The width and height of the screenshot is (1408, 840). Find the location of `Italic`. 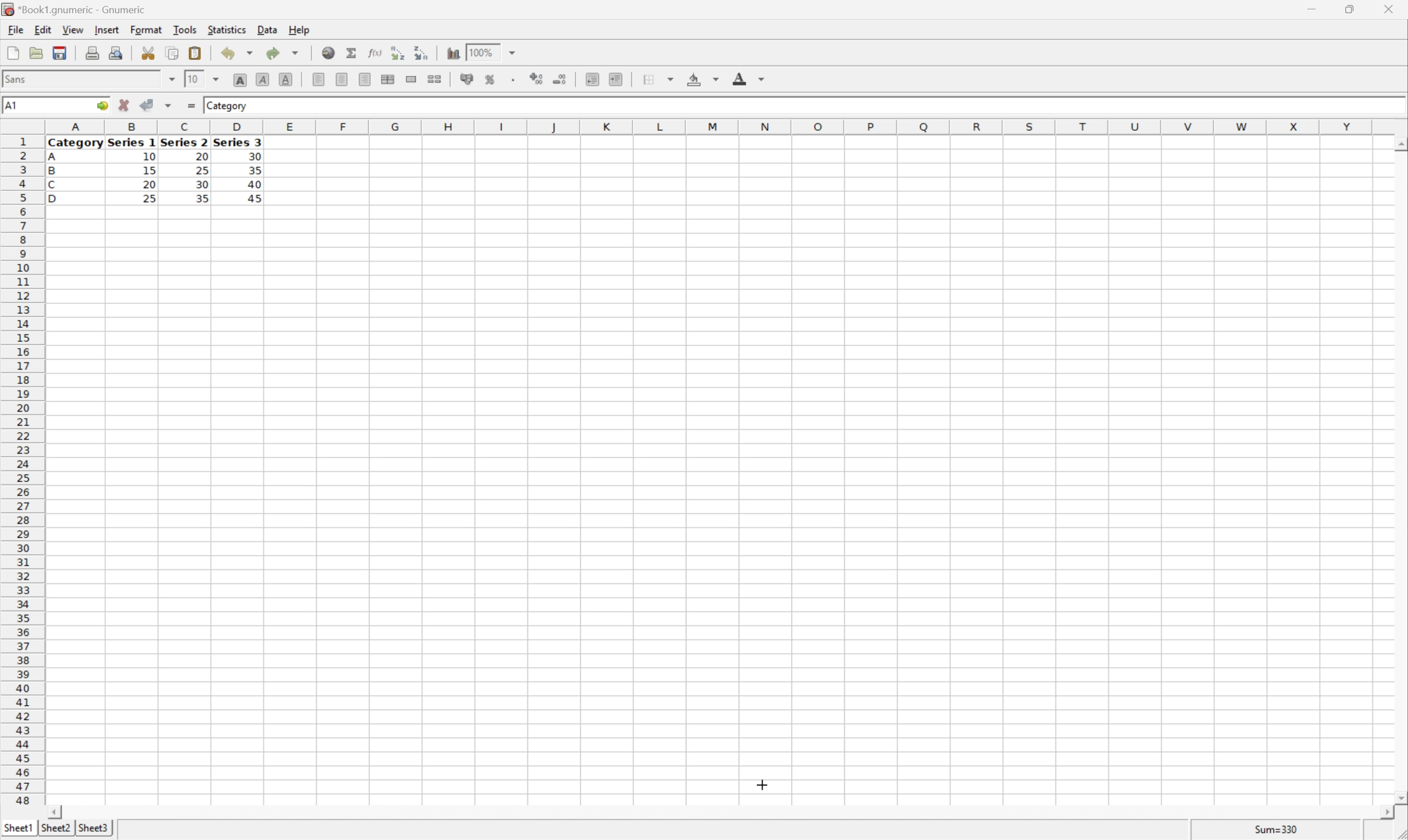

Italic is located at coordinates (262, 79).